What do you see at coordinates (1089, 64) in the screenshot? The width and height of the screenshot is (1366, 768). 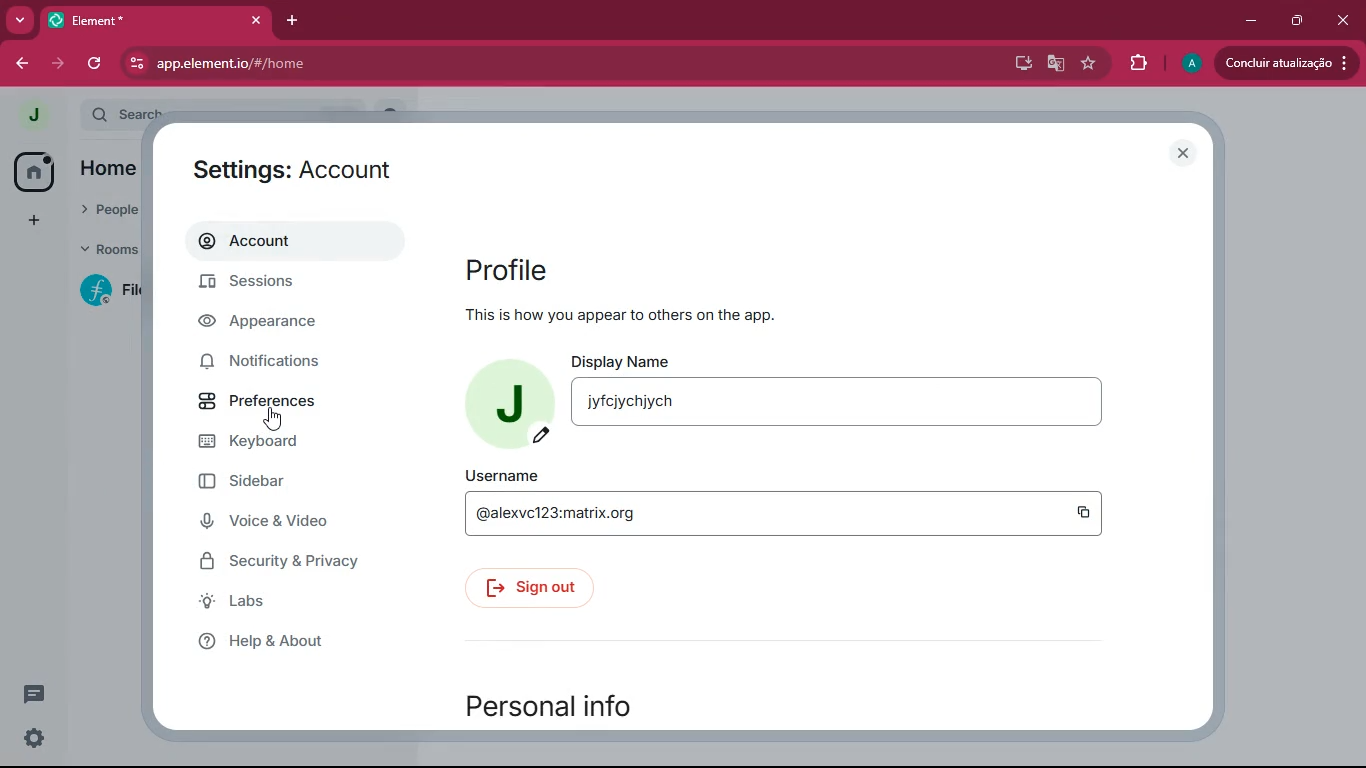 I see `favourite` at bounding box center [1089, 64].